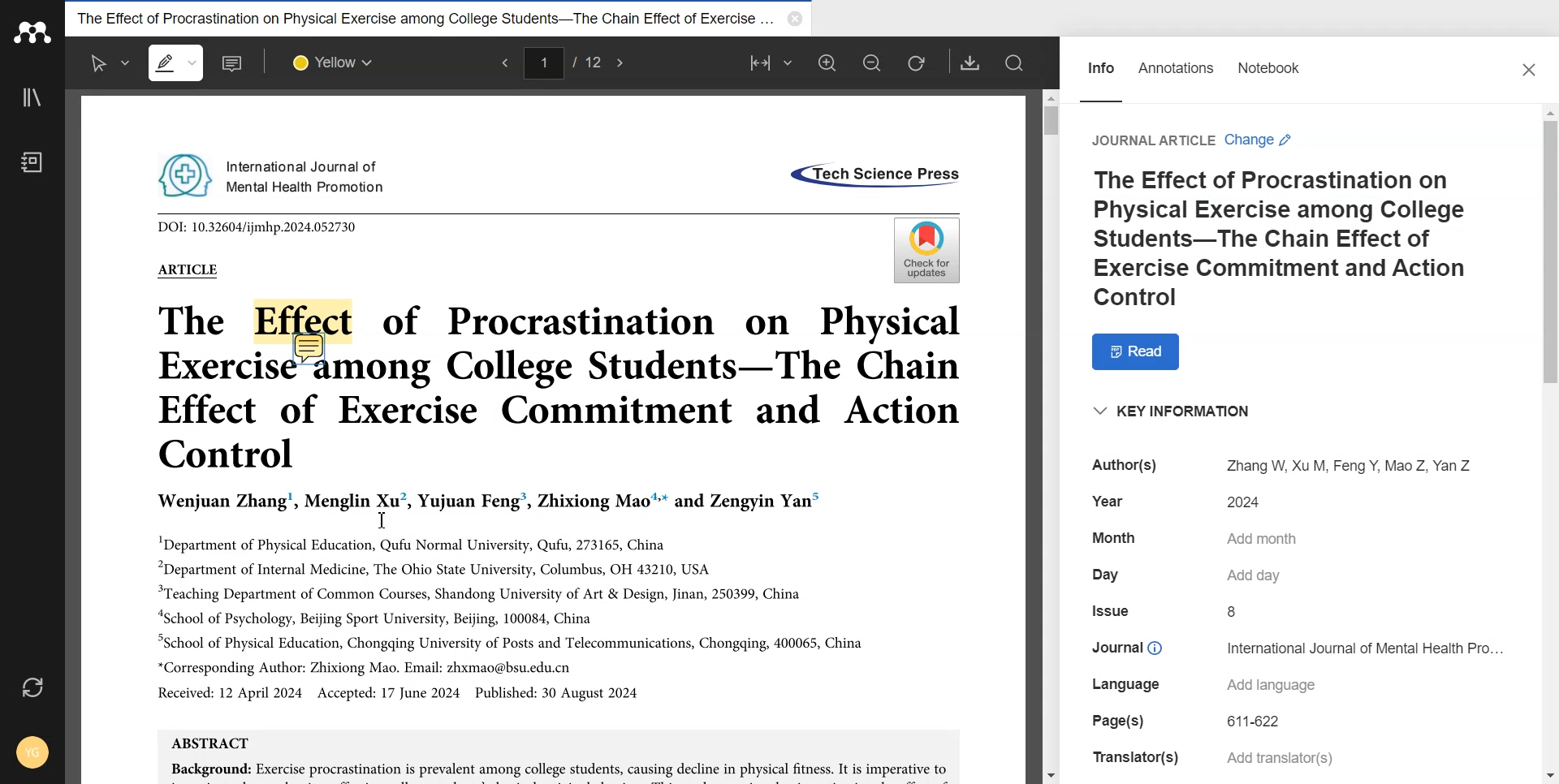 This screenshot has width=1559, height=784. What do you see at coordinates (924, 250) in the screenshot?
I see `Check for updates` at bounding box center [924, 250].